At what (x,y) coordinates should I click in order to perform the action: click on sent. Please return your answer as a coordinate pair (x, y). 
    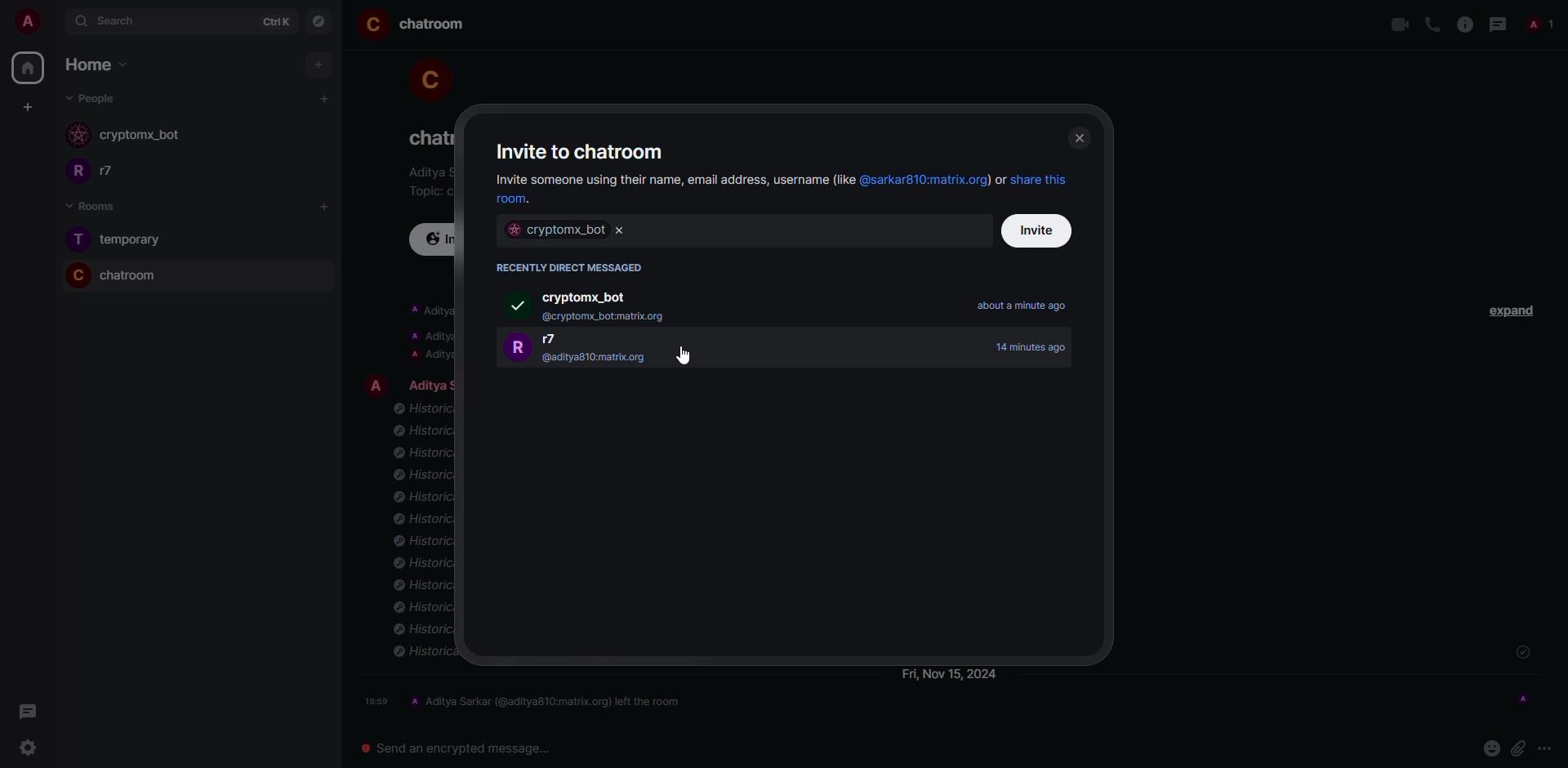
    Looking at the image, I should click on (1521, 653).